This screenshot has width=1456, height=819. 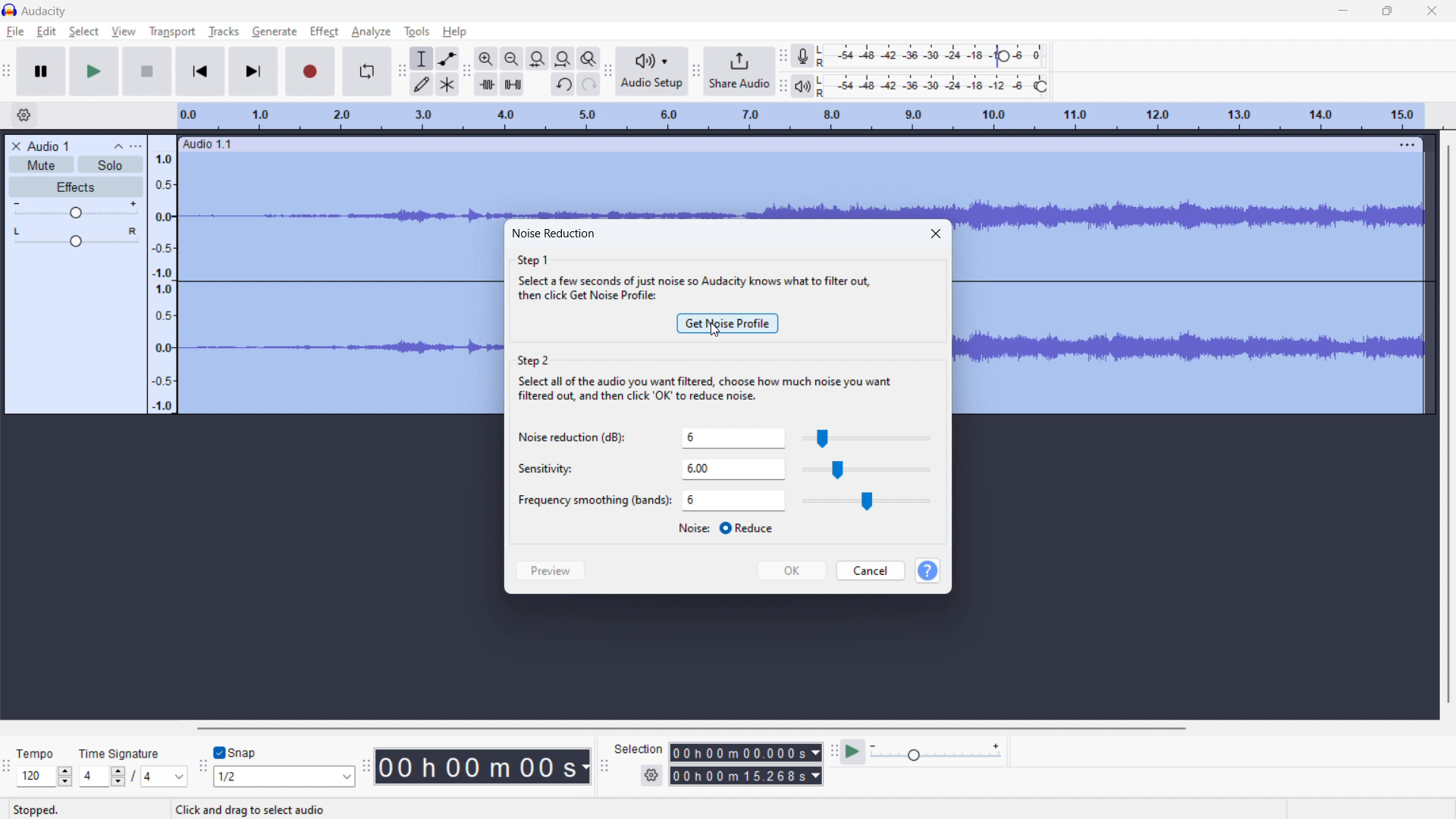 What do you see at coordinates (735, 438) in the screenshot?
I see `set noise reduction level` at bounding box center [735, 438].